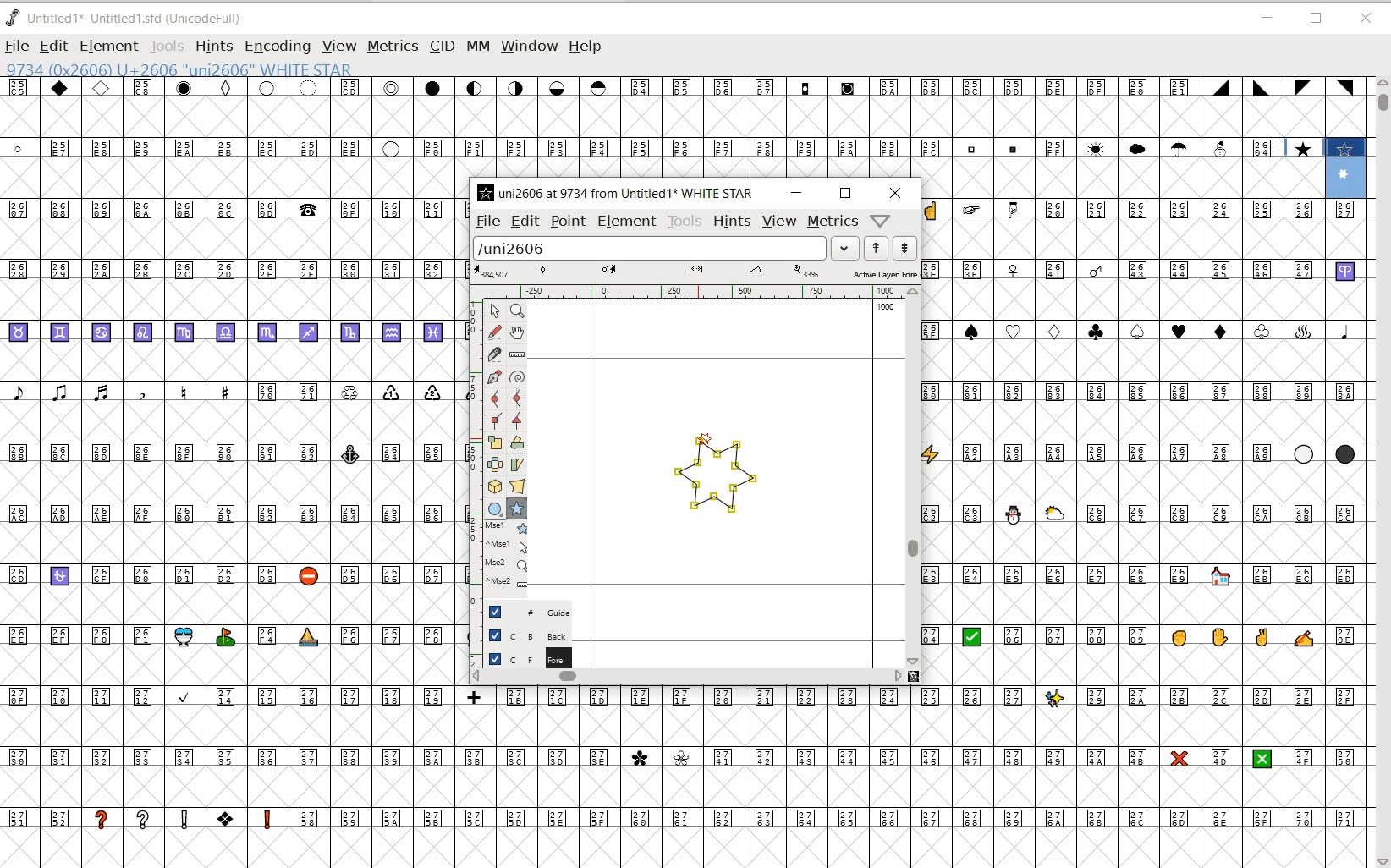  What do you see at coordinates (517, 312) in the screenshot?
I see `MAGNIFY` at bounding box center [517, 312].